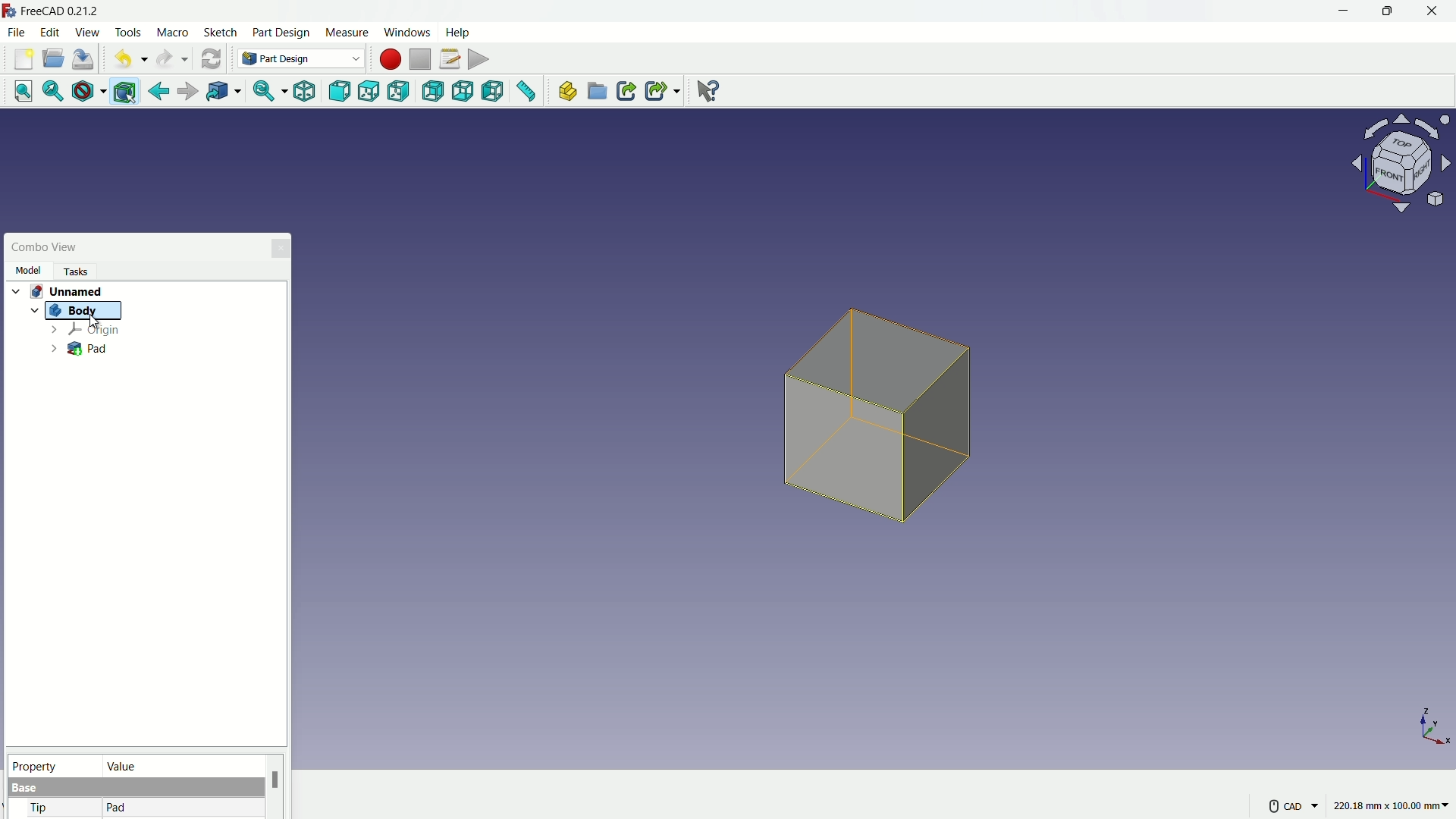 The image size is (1456, 819). What do you see at coordinates (93, 322) in the screenshot?
I see `cursor` at bounding box center [93, 322].